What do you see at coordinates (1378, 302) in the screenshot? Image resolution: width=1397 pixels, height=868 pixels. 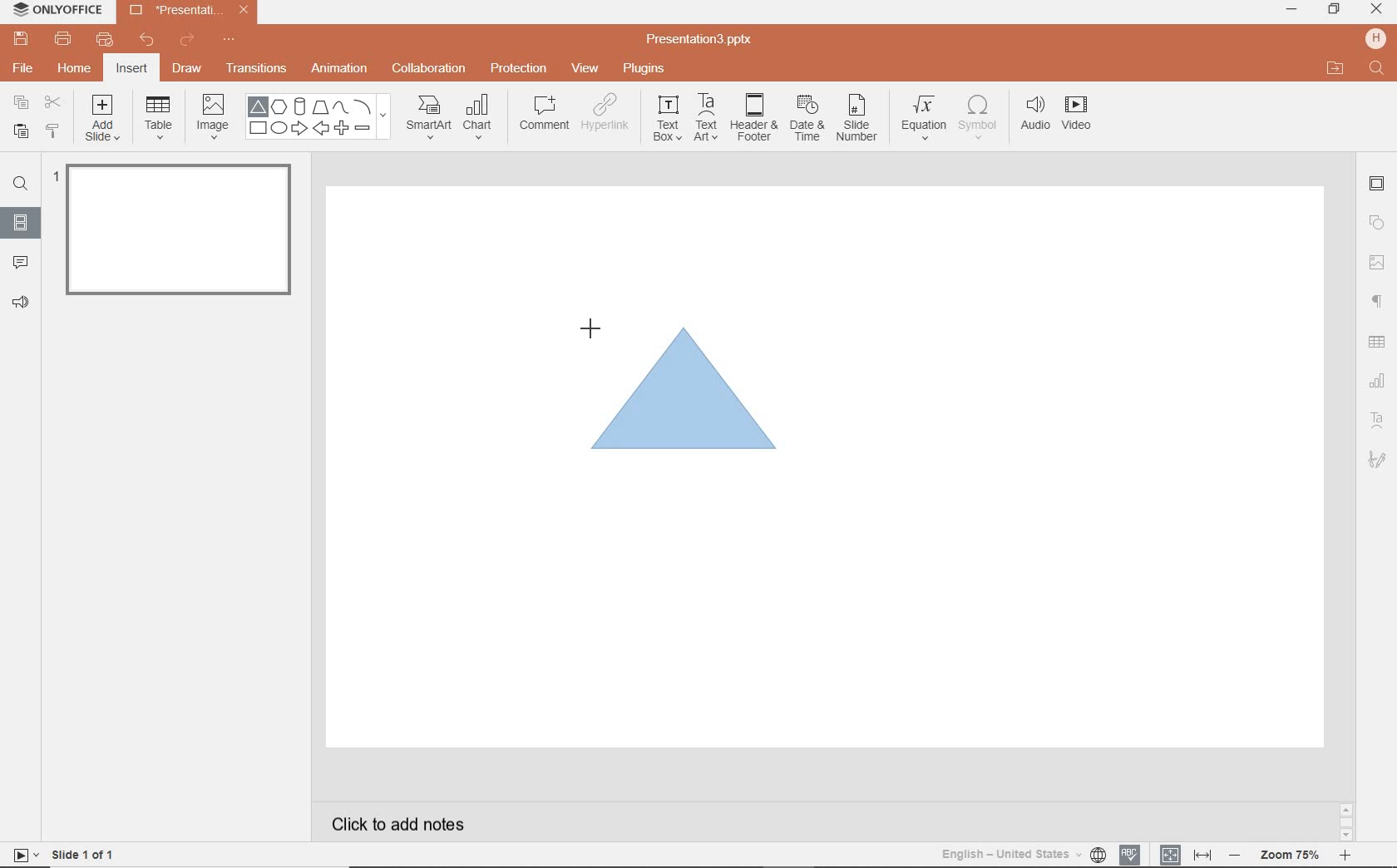 I see `PARAGRAPH SETTINGS` at bounding box center [1378, 302].